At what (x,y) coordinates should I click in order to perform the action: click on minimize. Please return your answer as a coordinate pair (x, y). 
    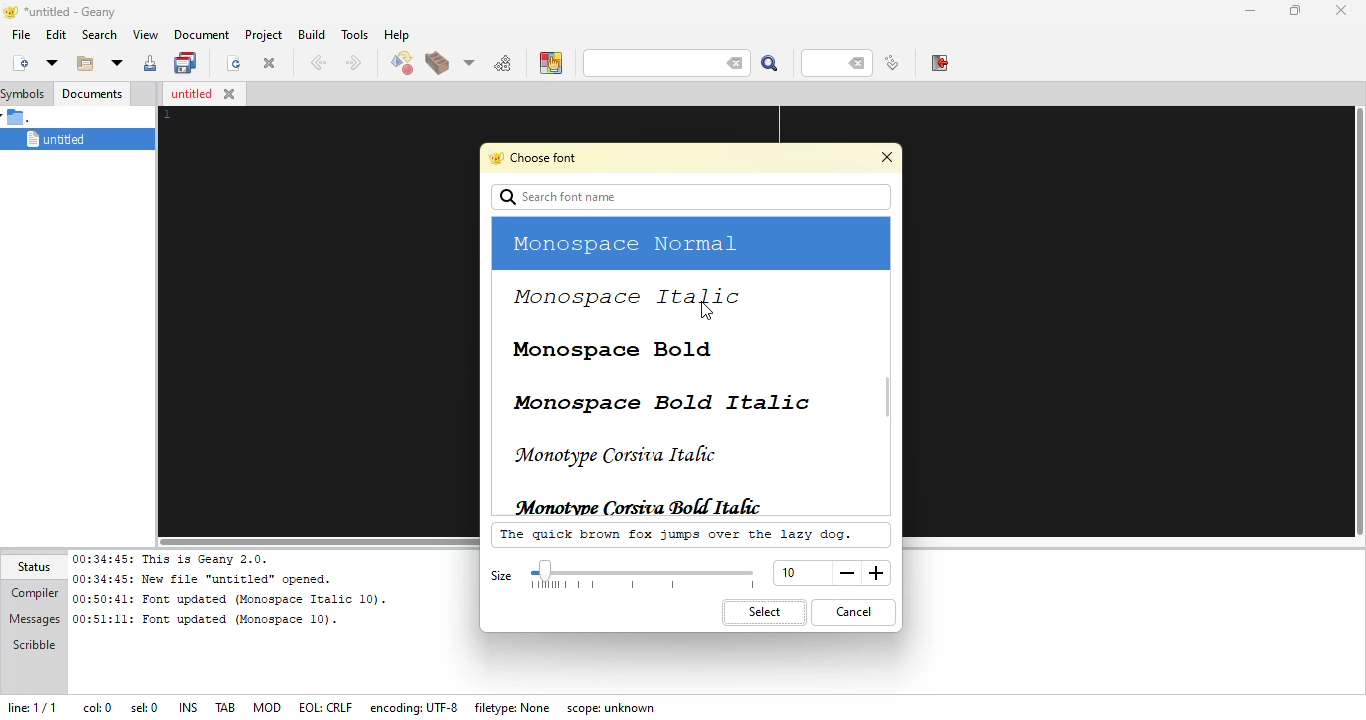
    Looking at the image, I should click on (1247, 10).